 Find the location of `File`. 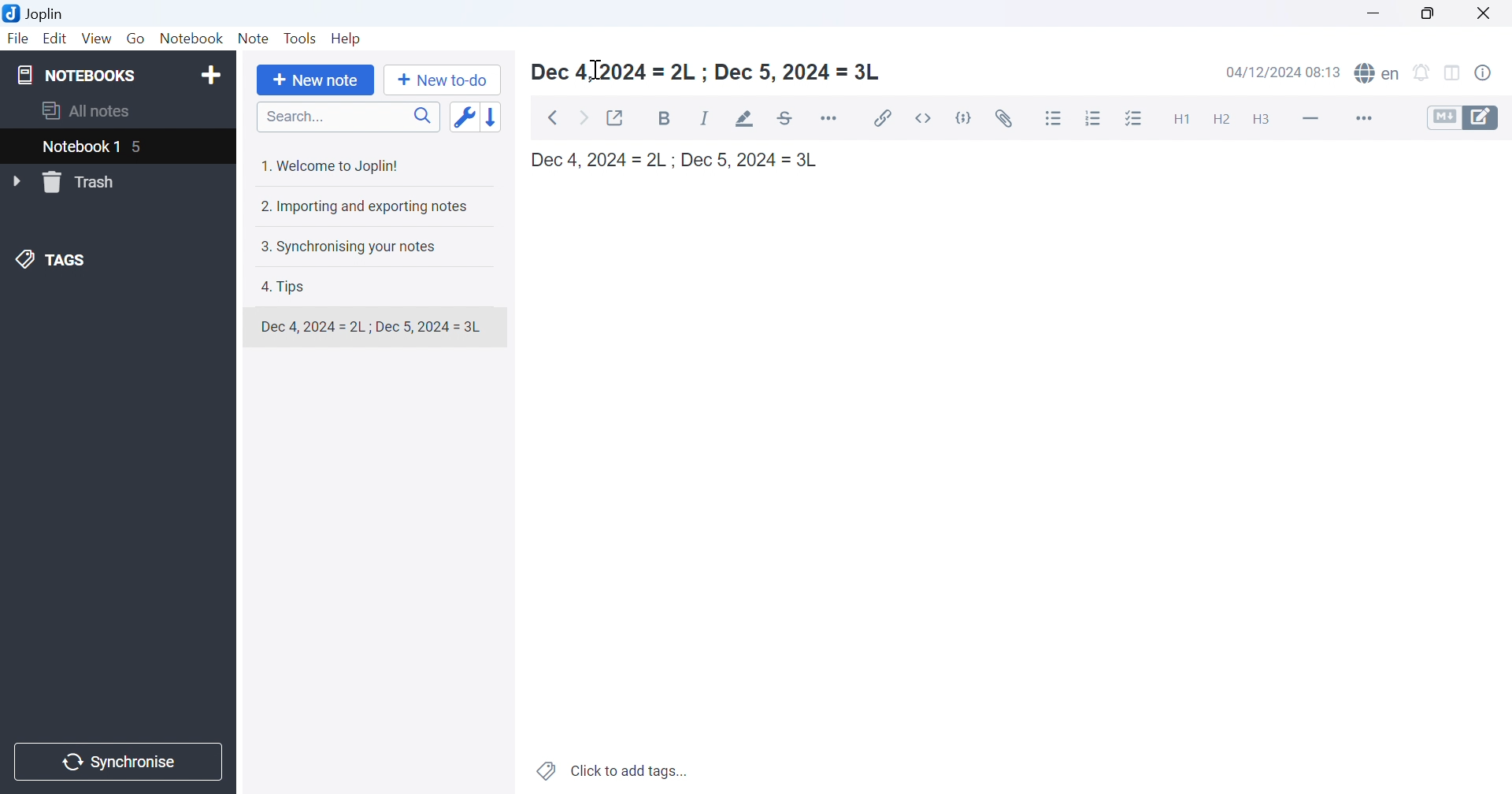

File is located at coordinates (18, 39).